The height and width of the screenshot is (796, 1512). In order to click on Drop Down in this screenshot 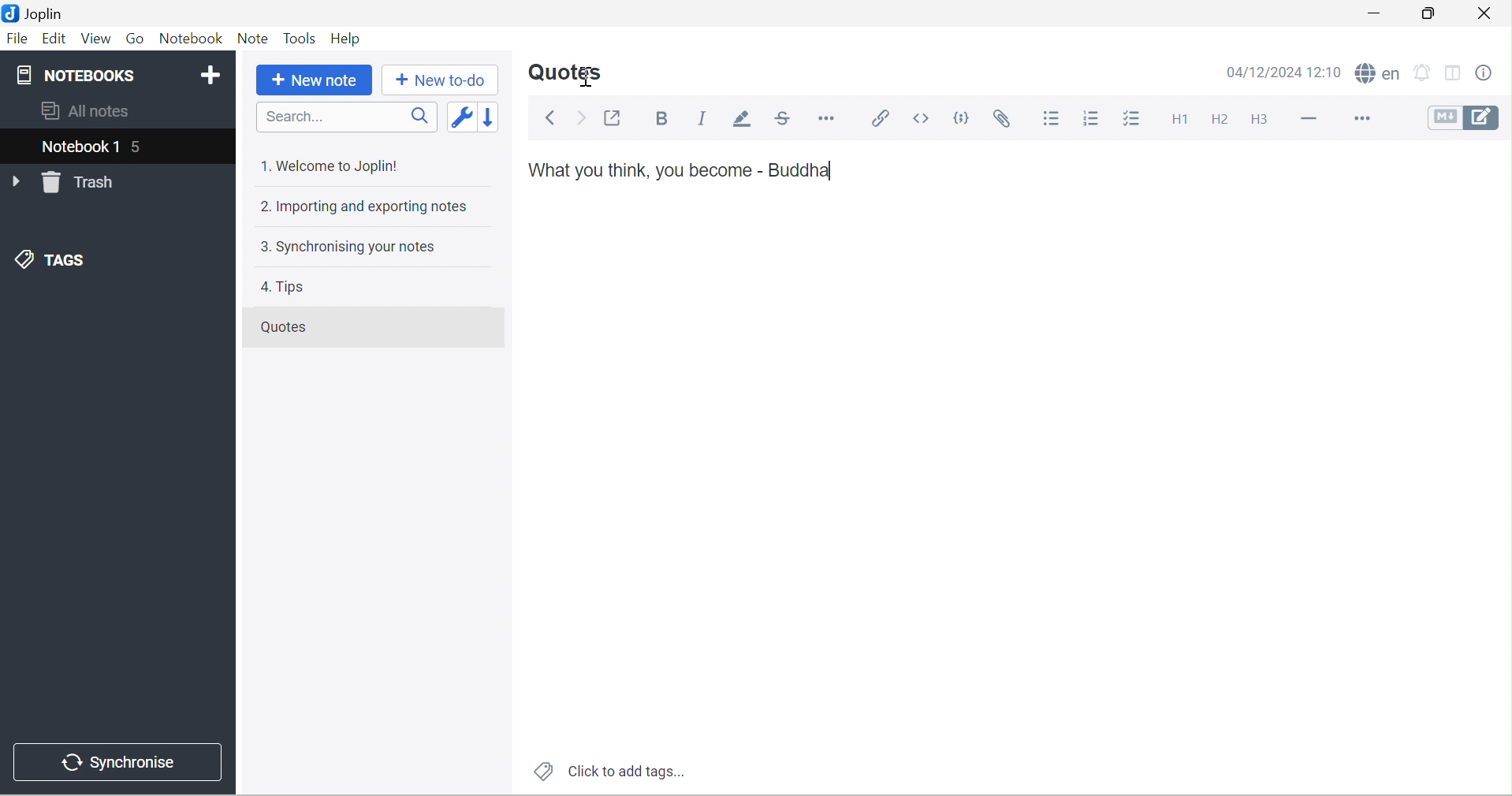, I will do `click(17, 182)`.